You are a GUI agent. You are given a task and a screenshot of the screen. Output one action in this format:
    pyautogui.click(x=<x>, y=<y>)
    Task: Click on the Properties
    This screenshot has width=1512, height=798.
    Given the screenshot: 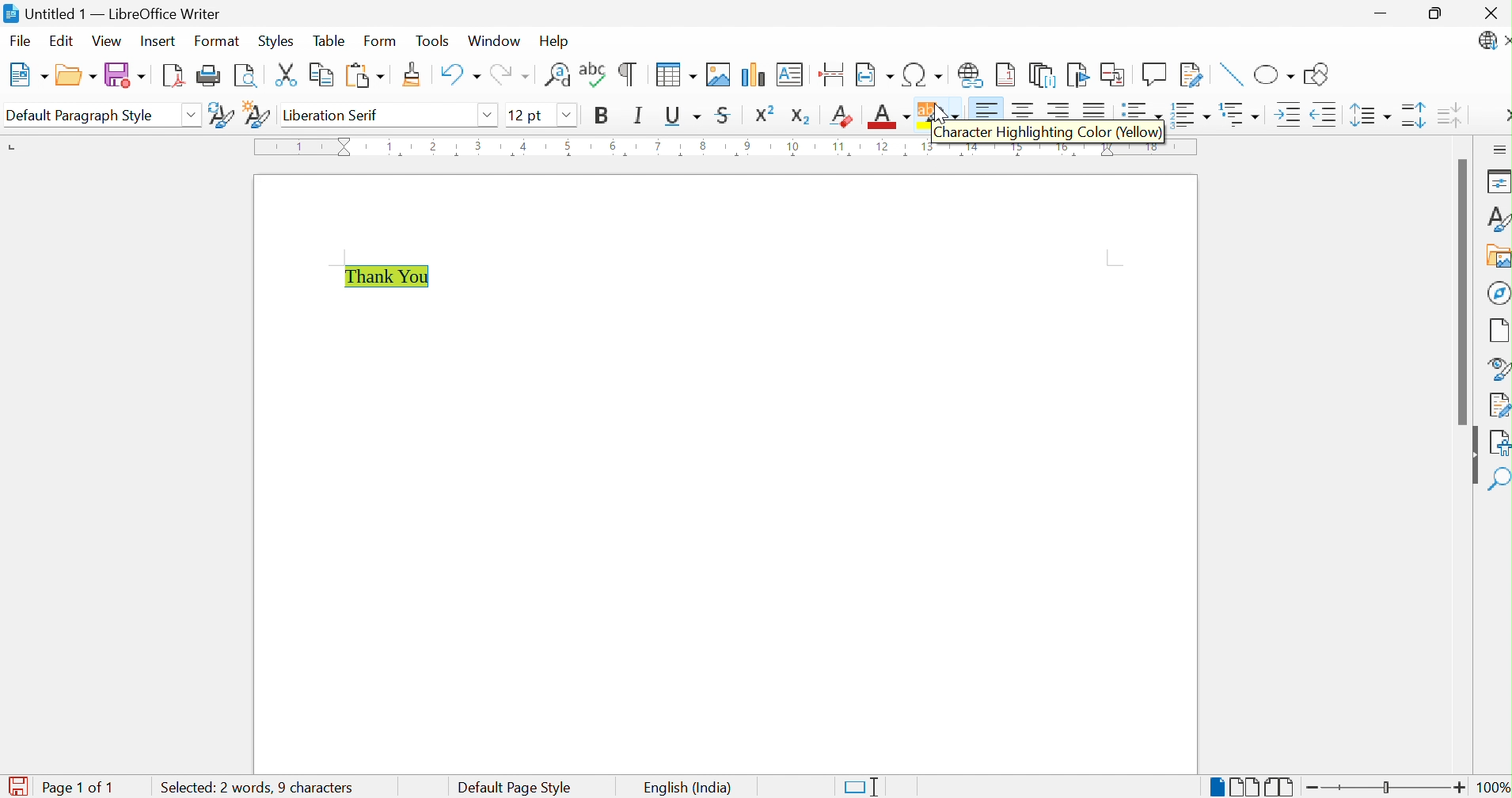 What is the action you would take?
    pyautogui.click(x=1496, y=182)
    